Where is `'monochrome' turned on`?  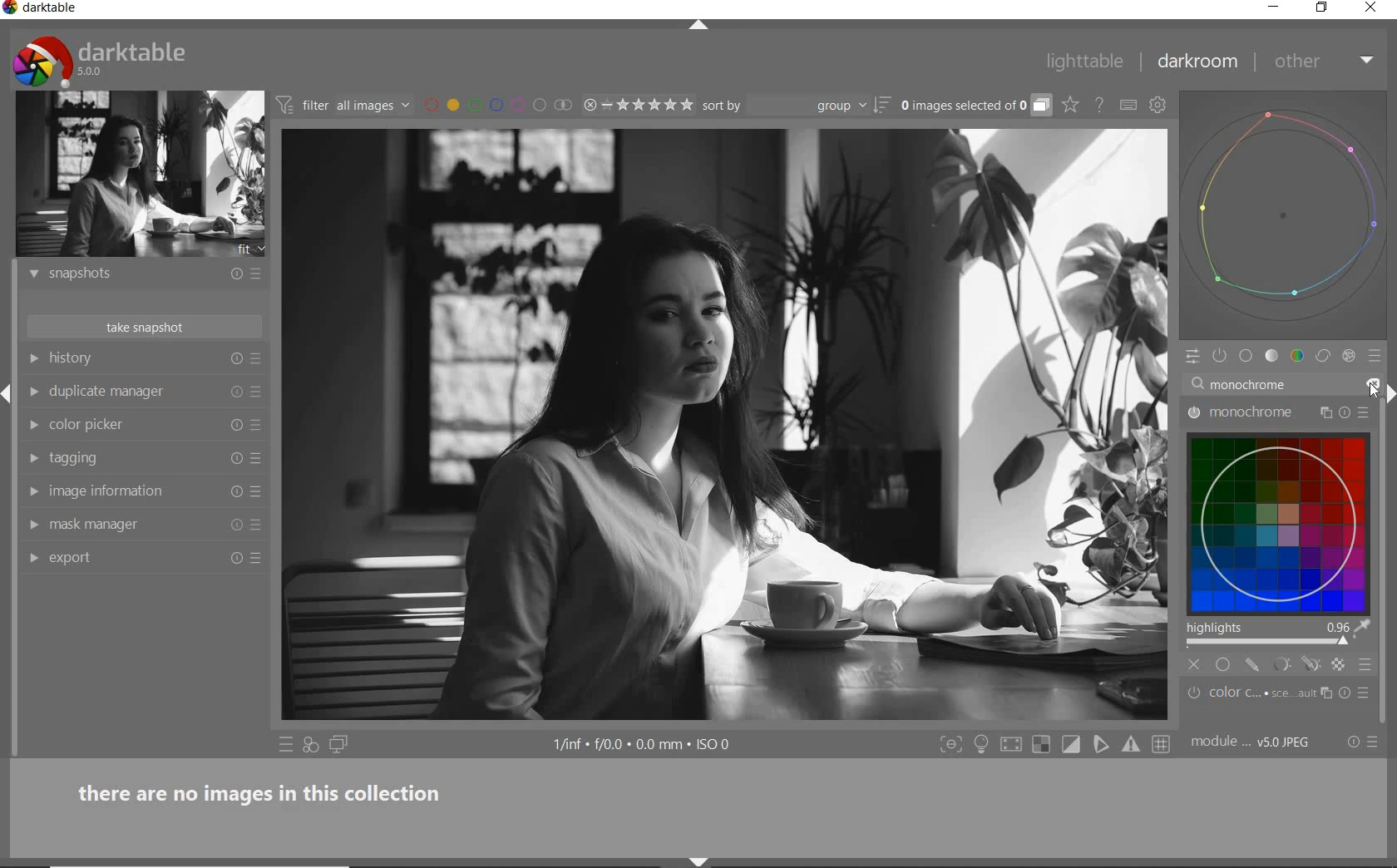 'monochrome' turned on is located at coordinates (1193, 412).